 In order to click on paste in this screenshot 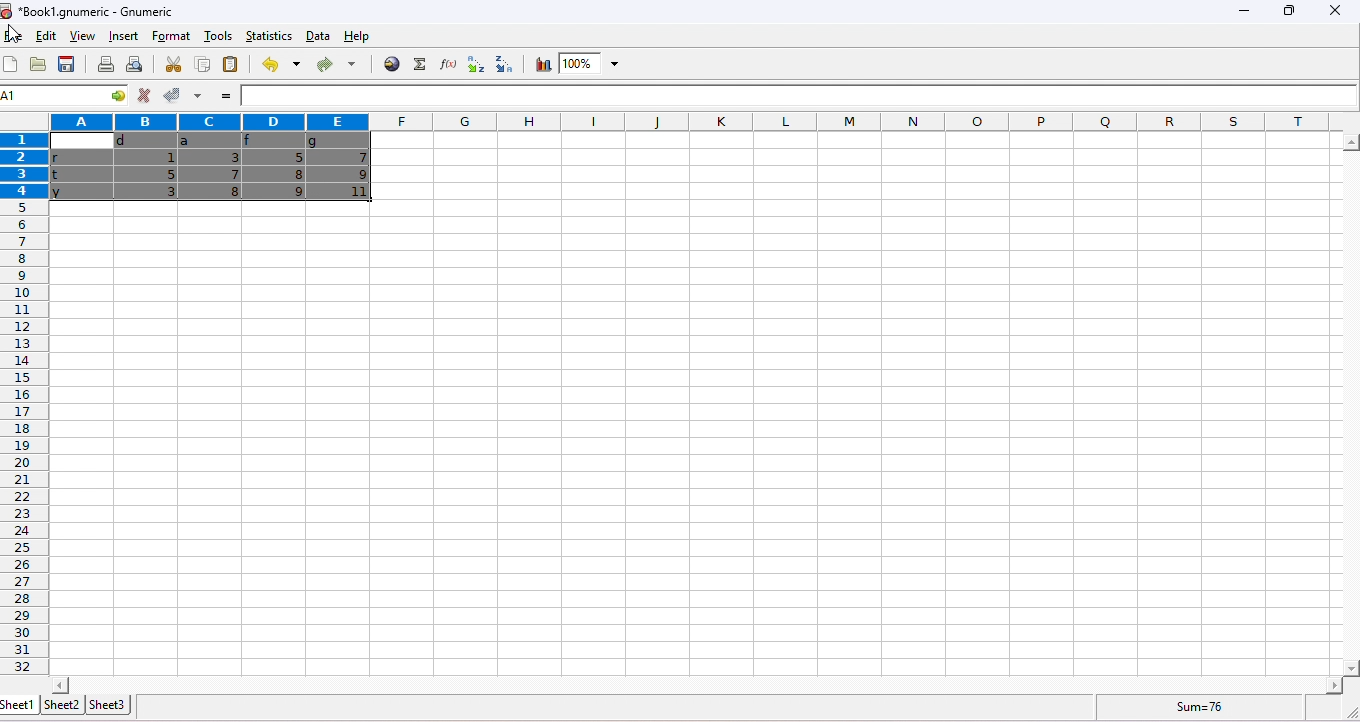, I will do `click(232, 66)`.